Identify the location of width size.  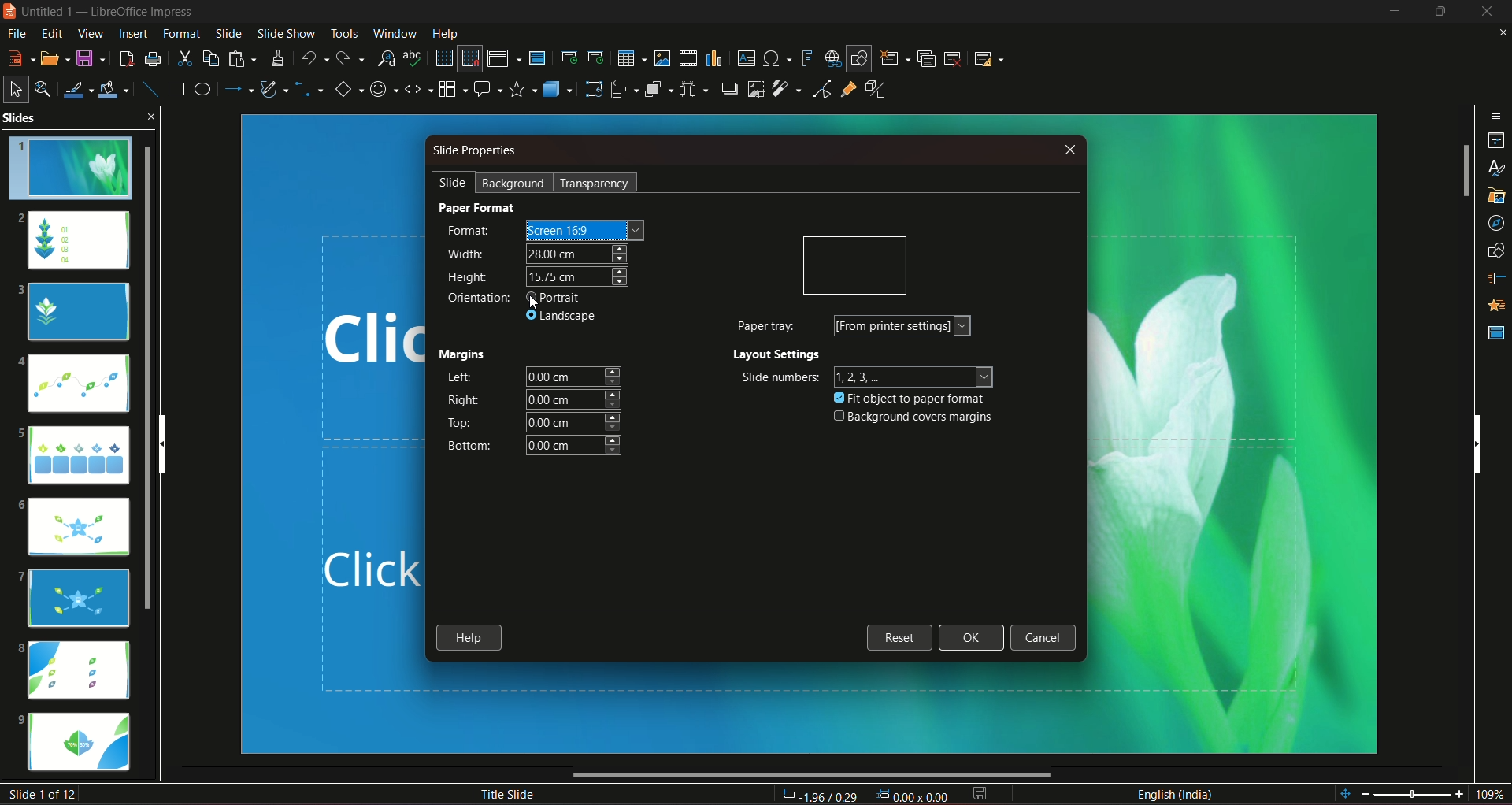
(576, 253).